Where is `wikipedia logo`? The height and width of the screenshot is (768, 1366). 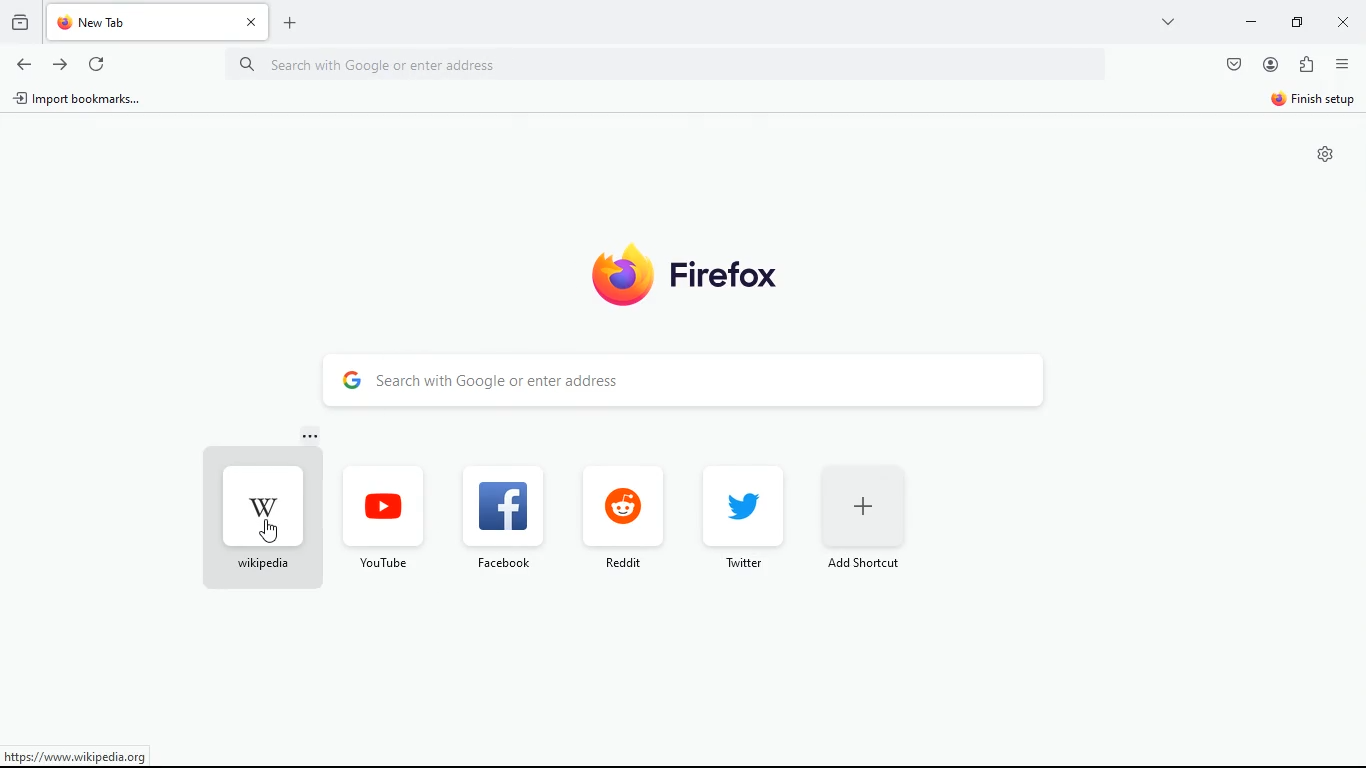
wikipedia logo is located at coordinates (262, 498).